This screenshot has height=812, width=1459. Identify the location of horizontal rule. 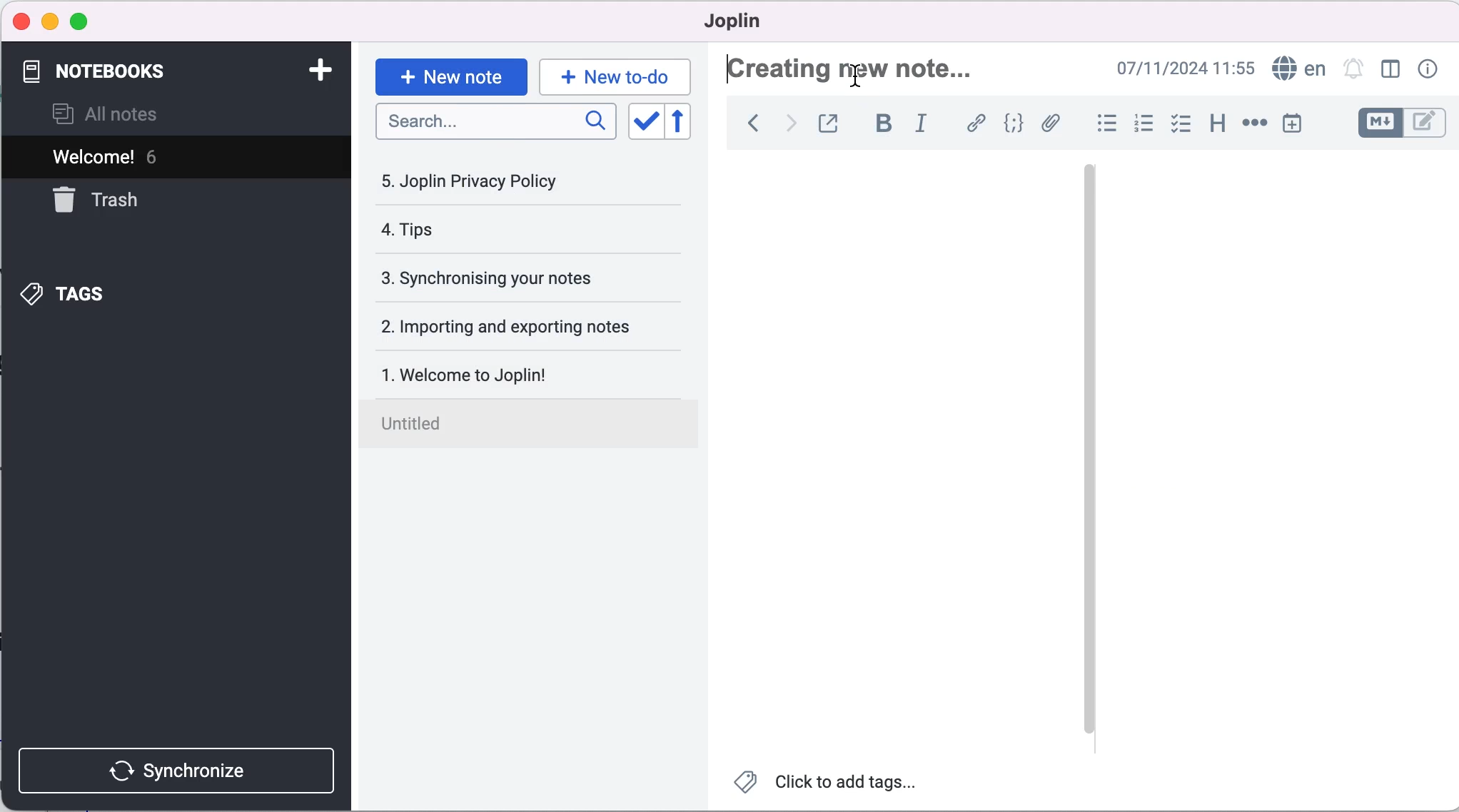
(1254, 123).